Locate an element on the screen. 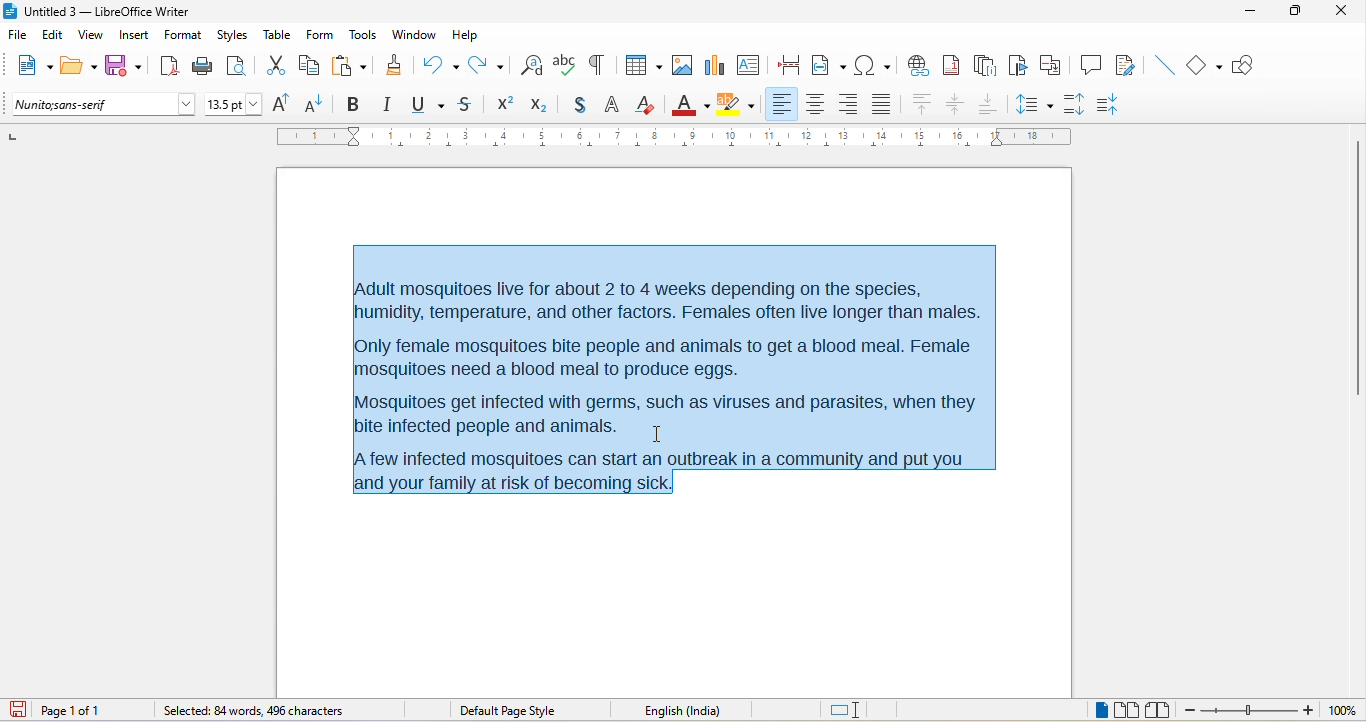 This screenshot has width=1366, height=722. zoom is located at coordinates (1250, 712).